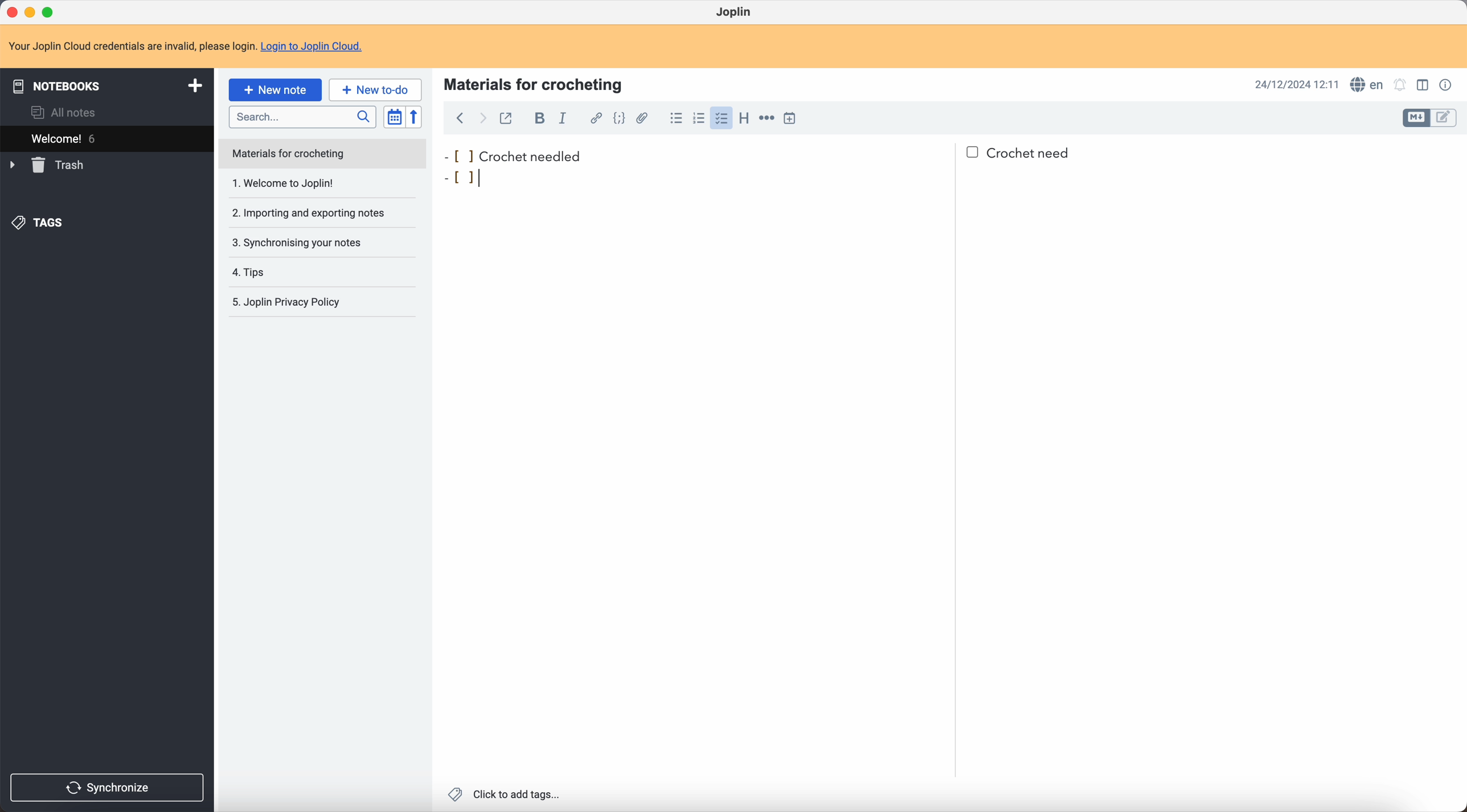 This screenshot has height=812, width=1467. I want to click on spell checker, so click(1365, 84).